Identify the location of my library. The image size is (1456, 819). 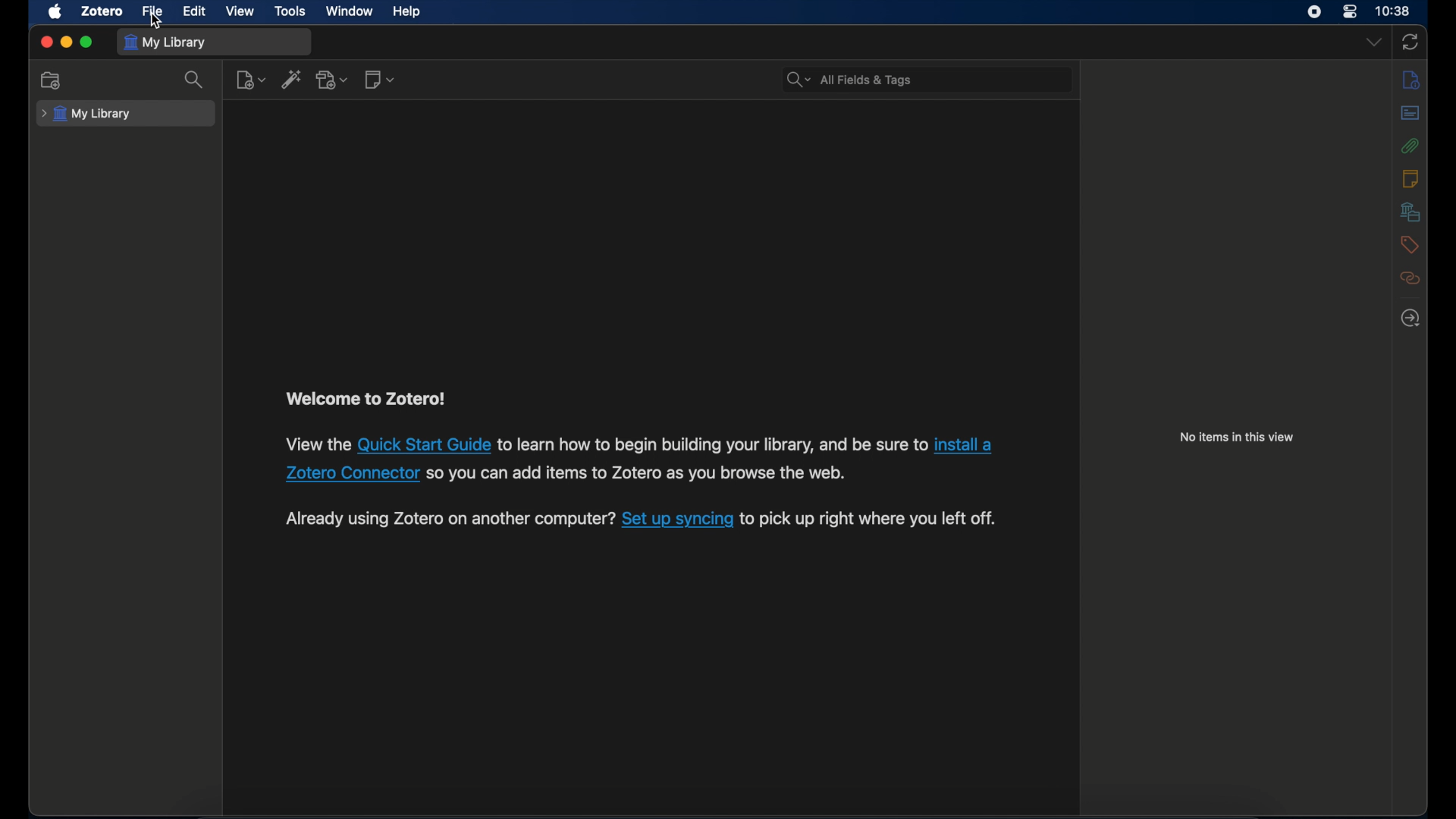
(165, 44).